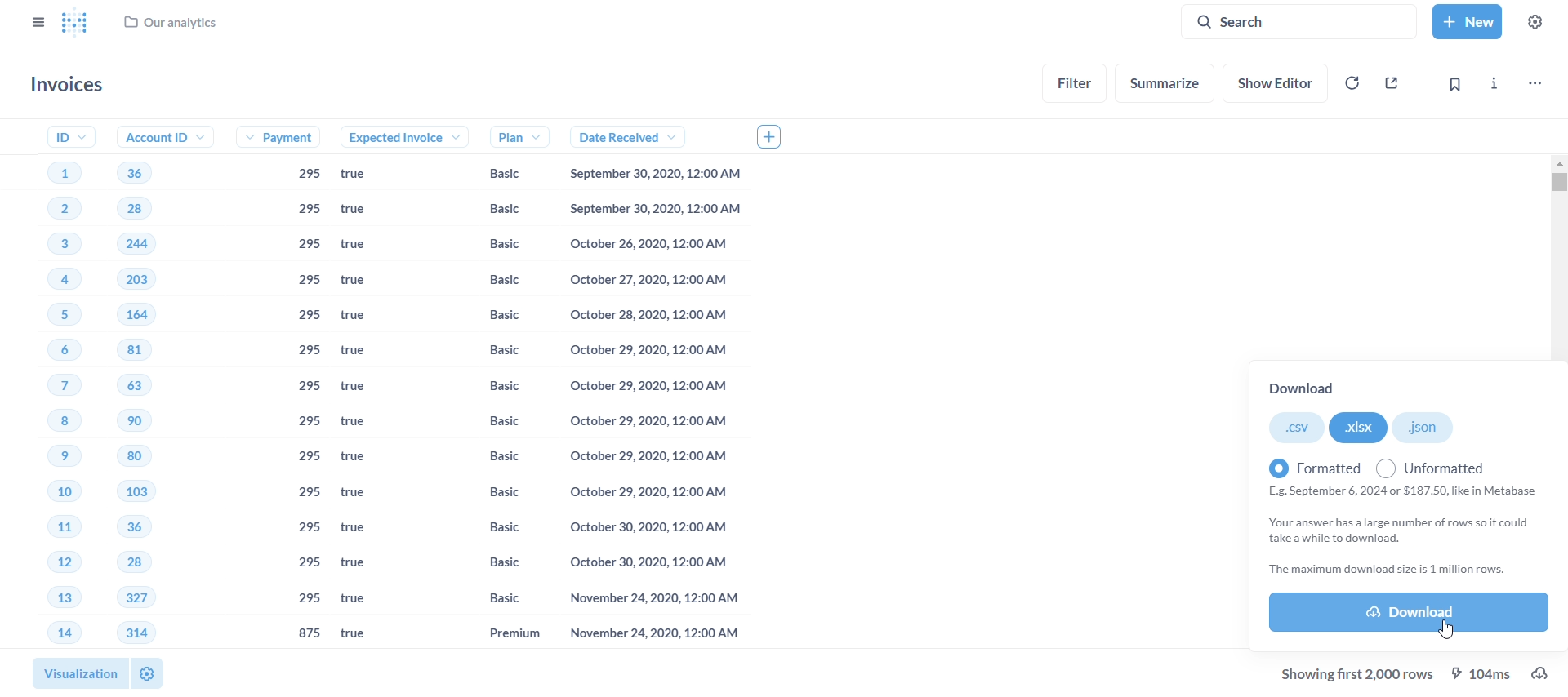 The height and width of the screenshot is (697, 1568). What do you see at coordinates (1385, 466) in the screenshot?
I see `radio button unchecked` at bounding box center [1385, 466].